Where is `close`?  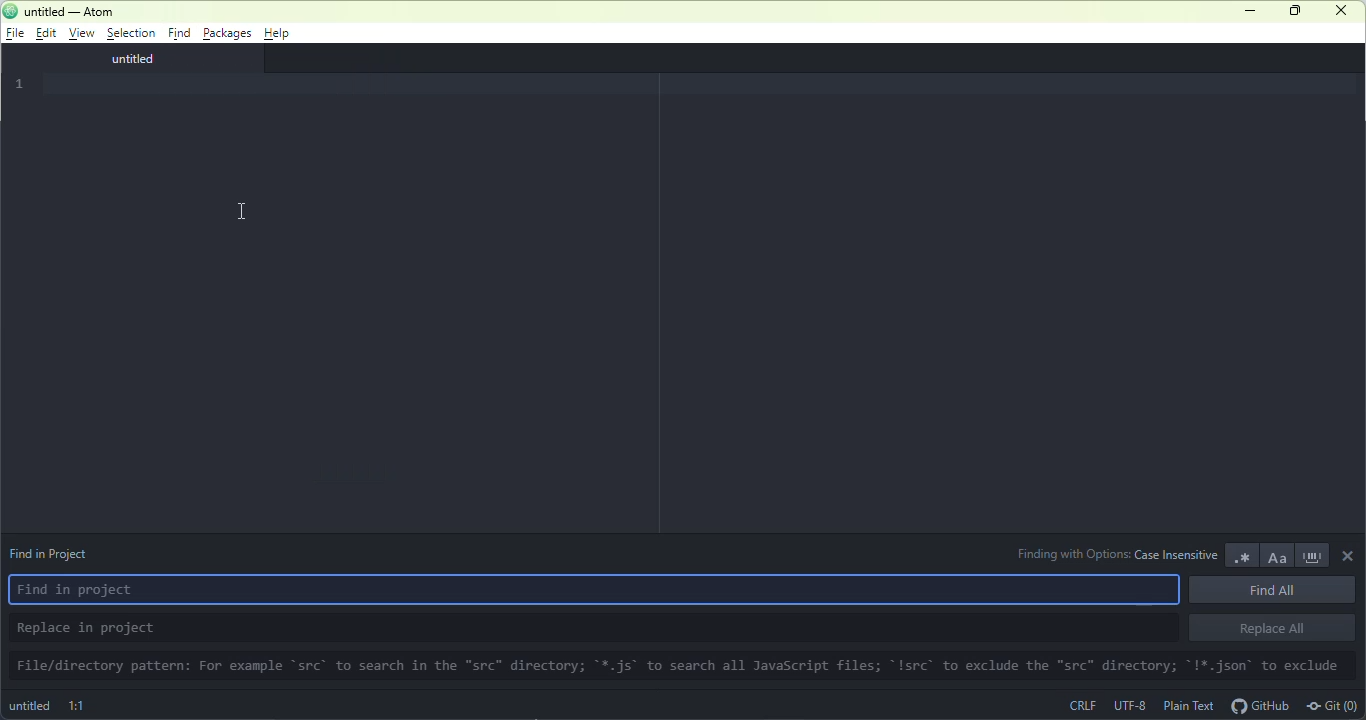
close is located at coordinates (1340, 11).